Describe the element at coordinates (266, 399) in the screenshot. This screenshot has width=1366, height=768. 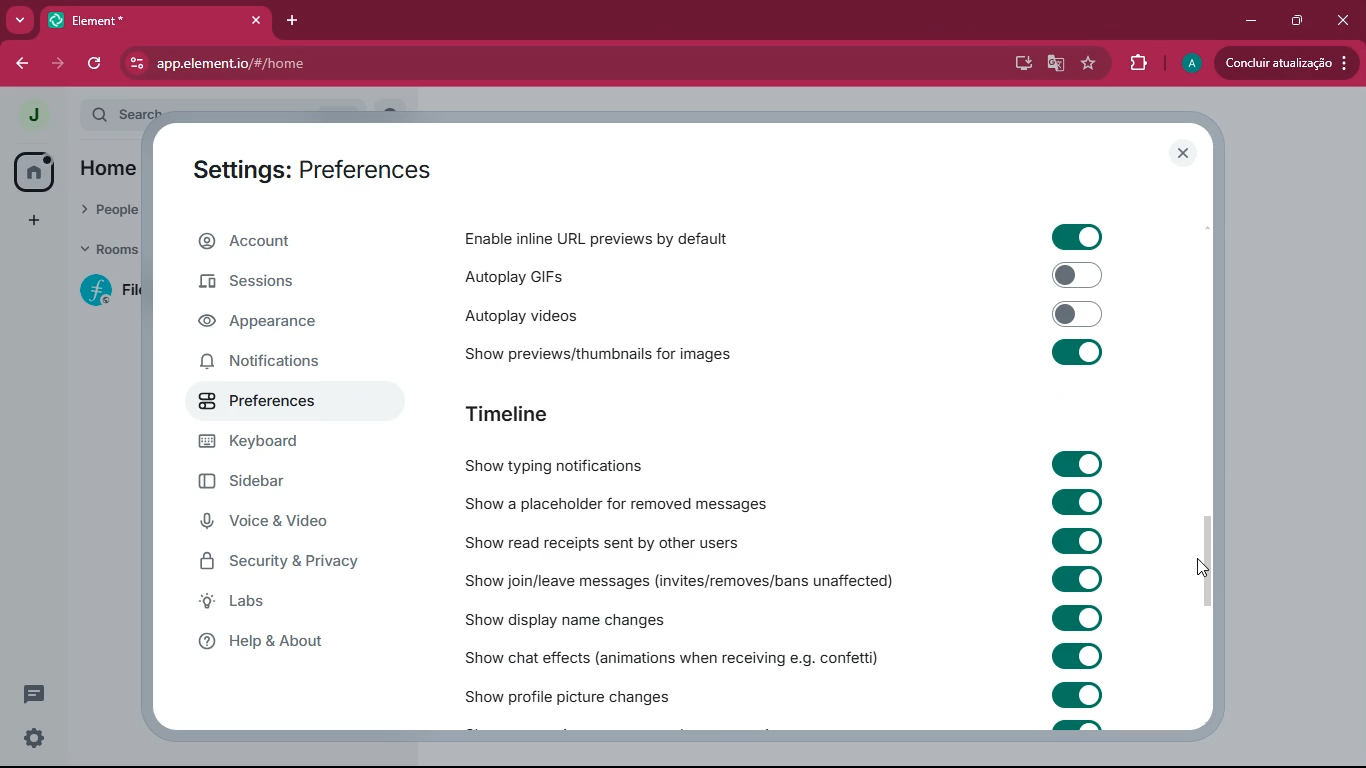
I see `preferences` at that location.